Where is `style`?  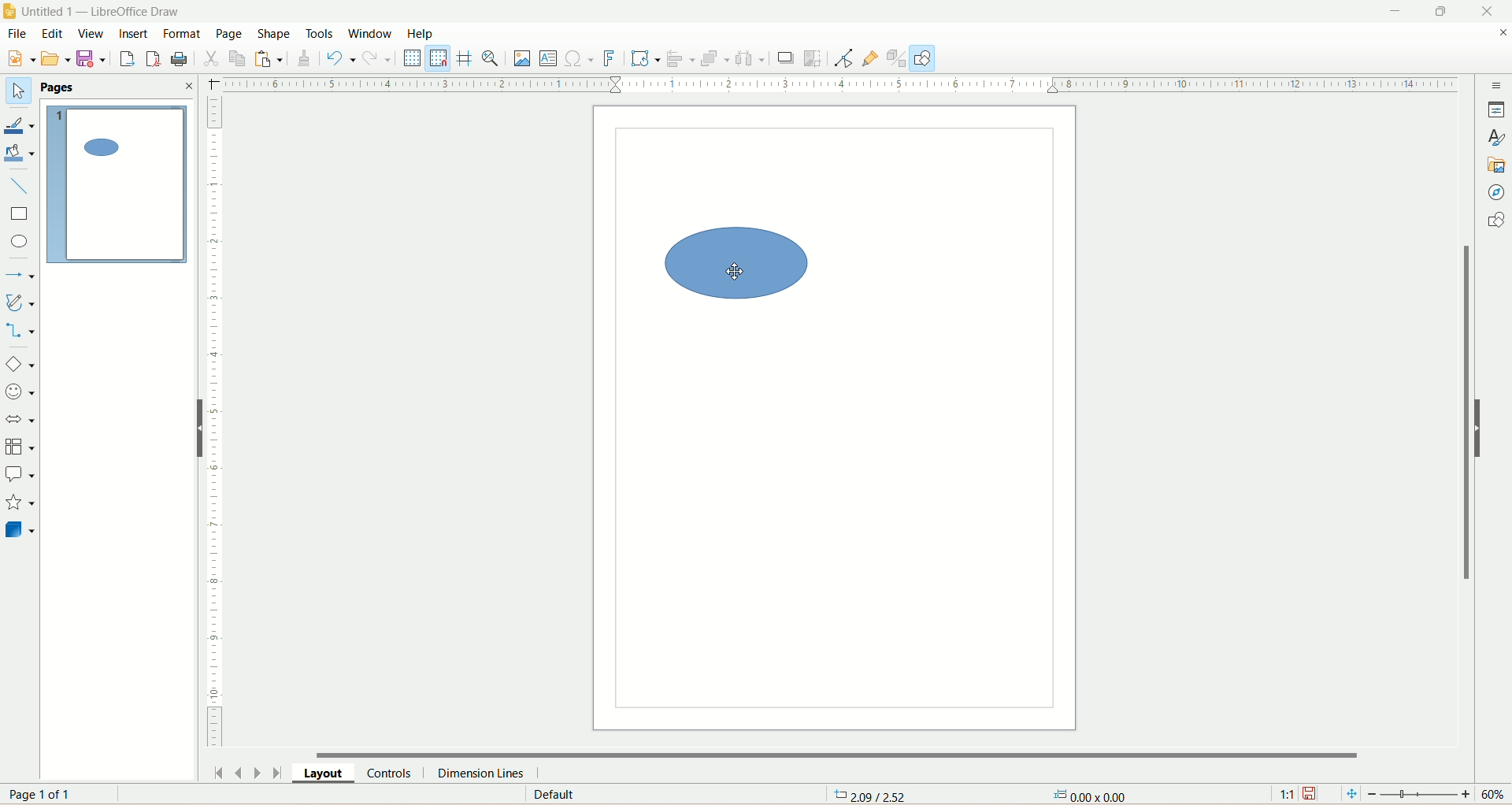 style is located at coordinates (1496, 135).